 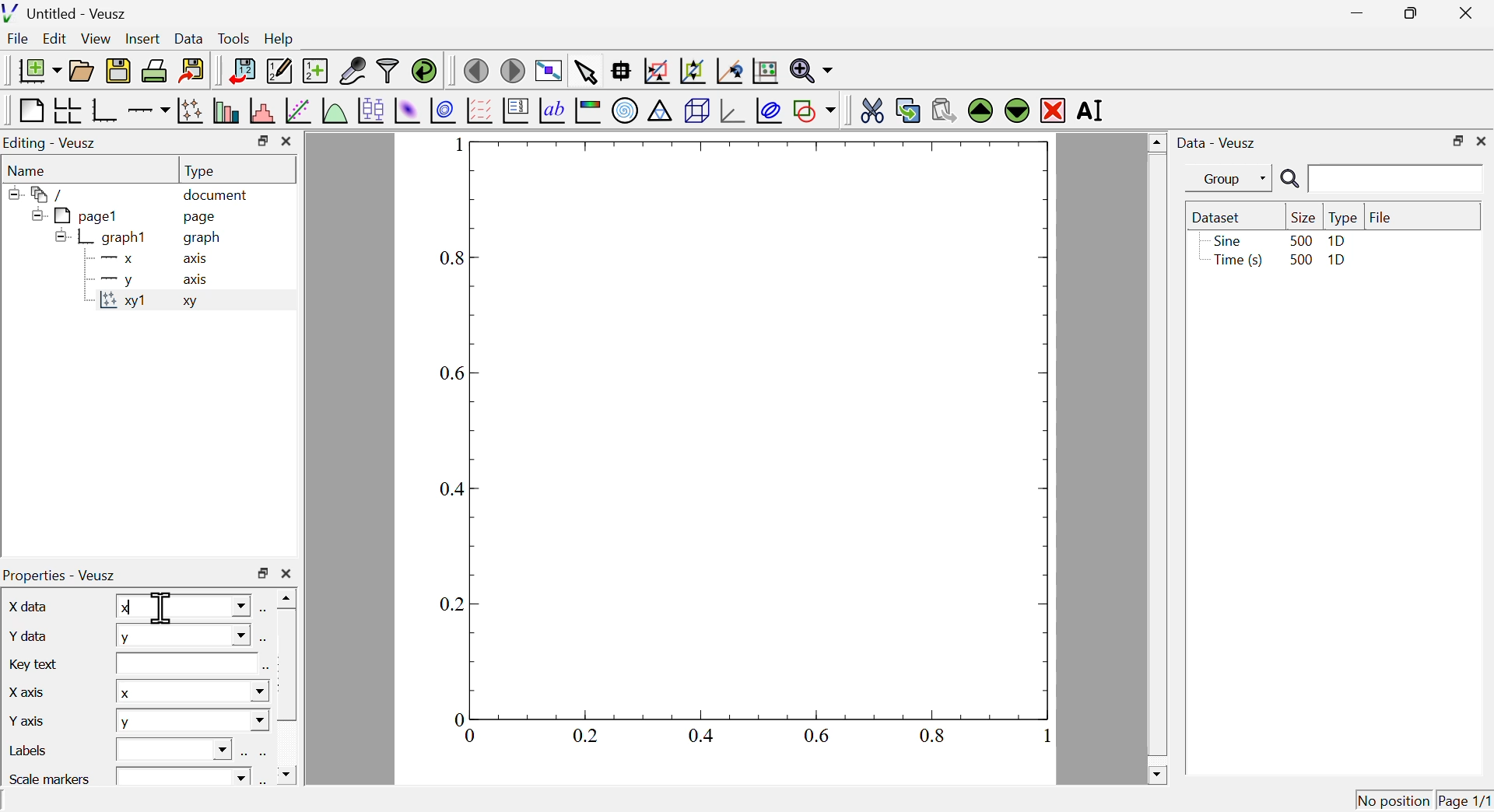 I want to click on axis, so click(x=198, y=280).